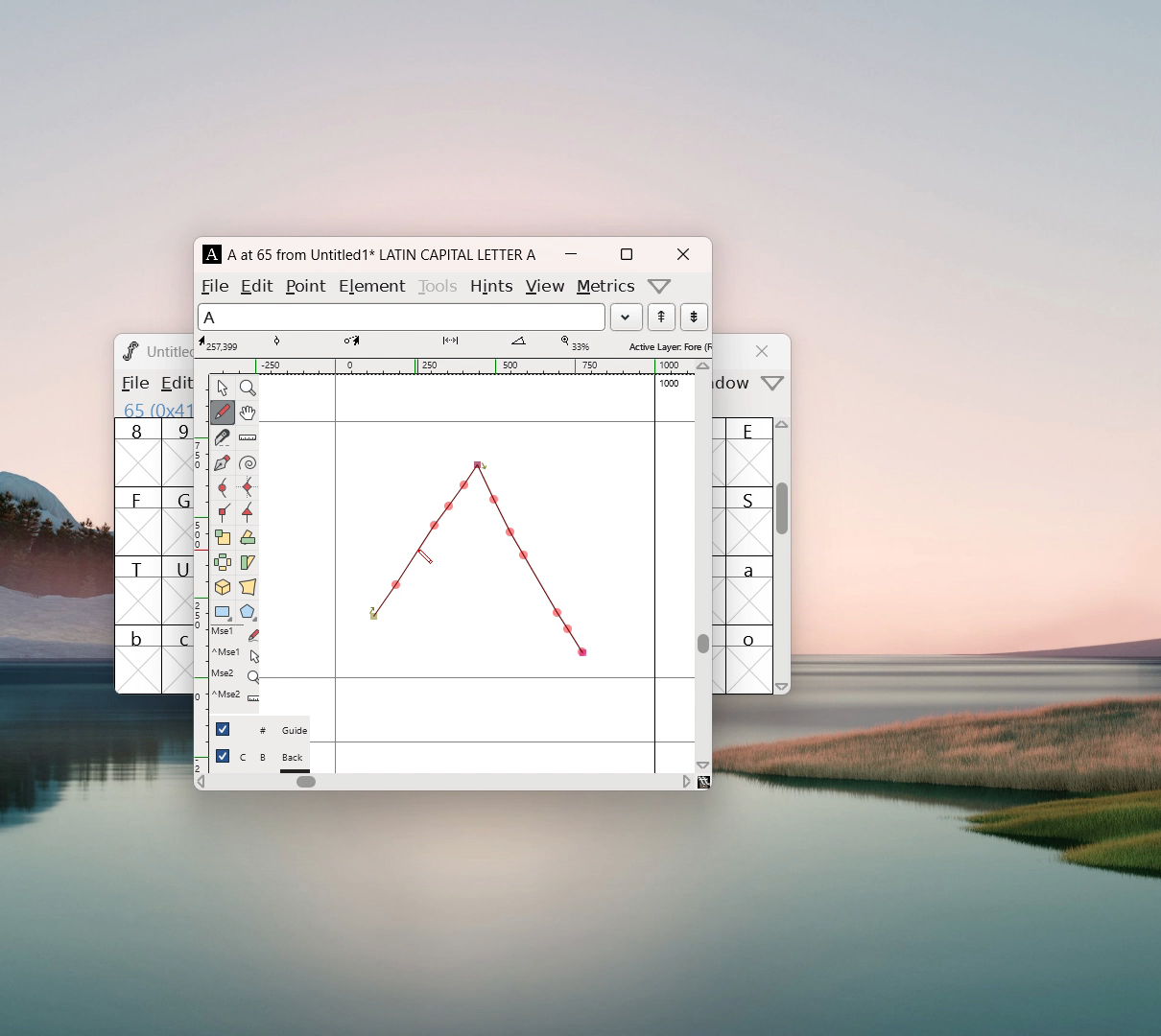  Describe the element at coordinates (248, 487) in the screenshot. I see `add a curve point always horizontal or vertical` at that location.